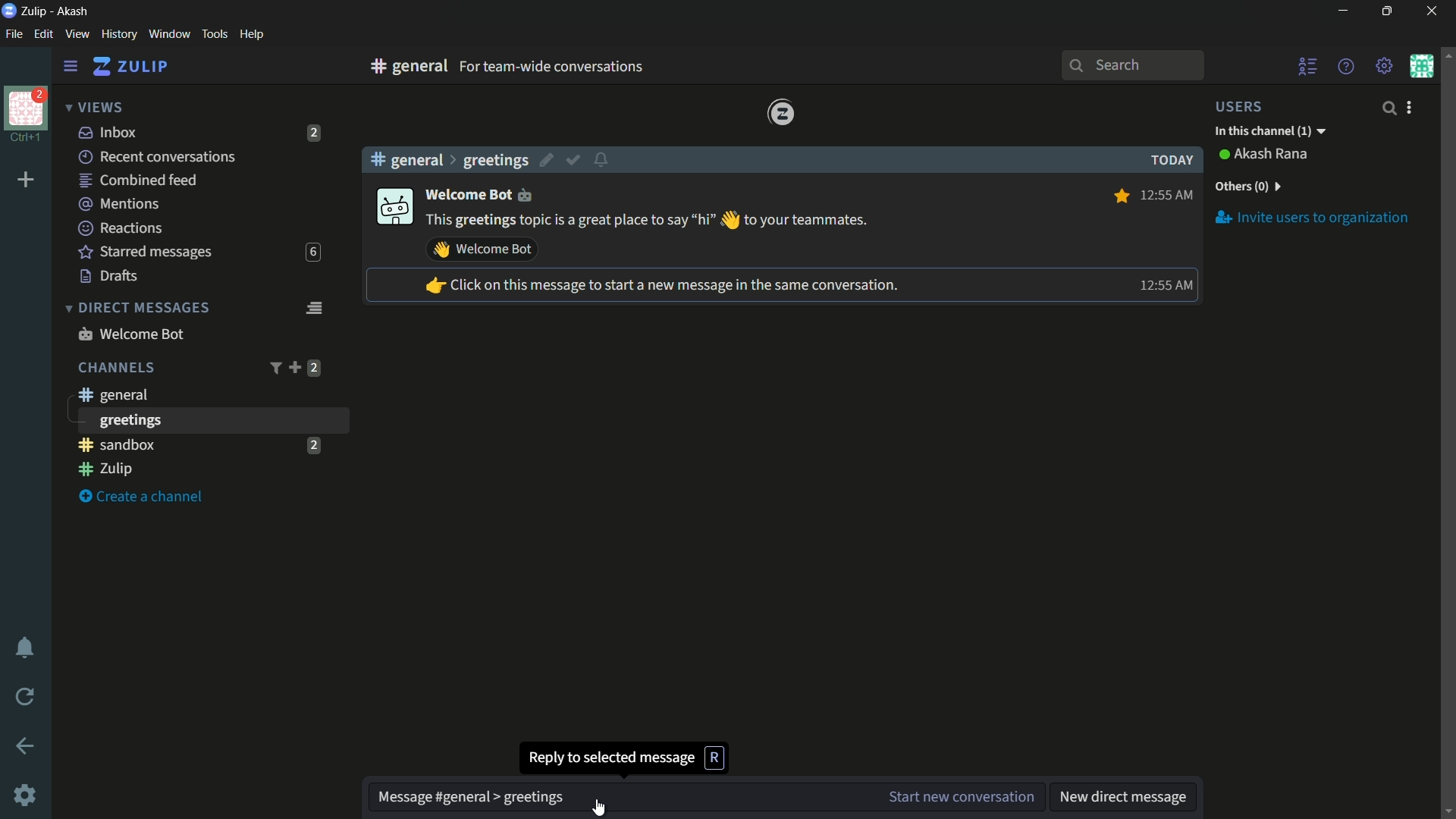 The image size is (1456, 819). What do you see at coordinates (27, 180) in the screenshot?
I see `add organization` at bounding box center [27, 180].